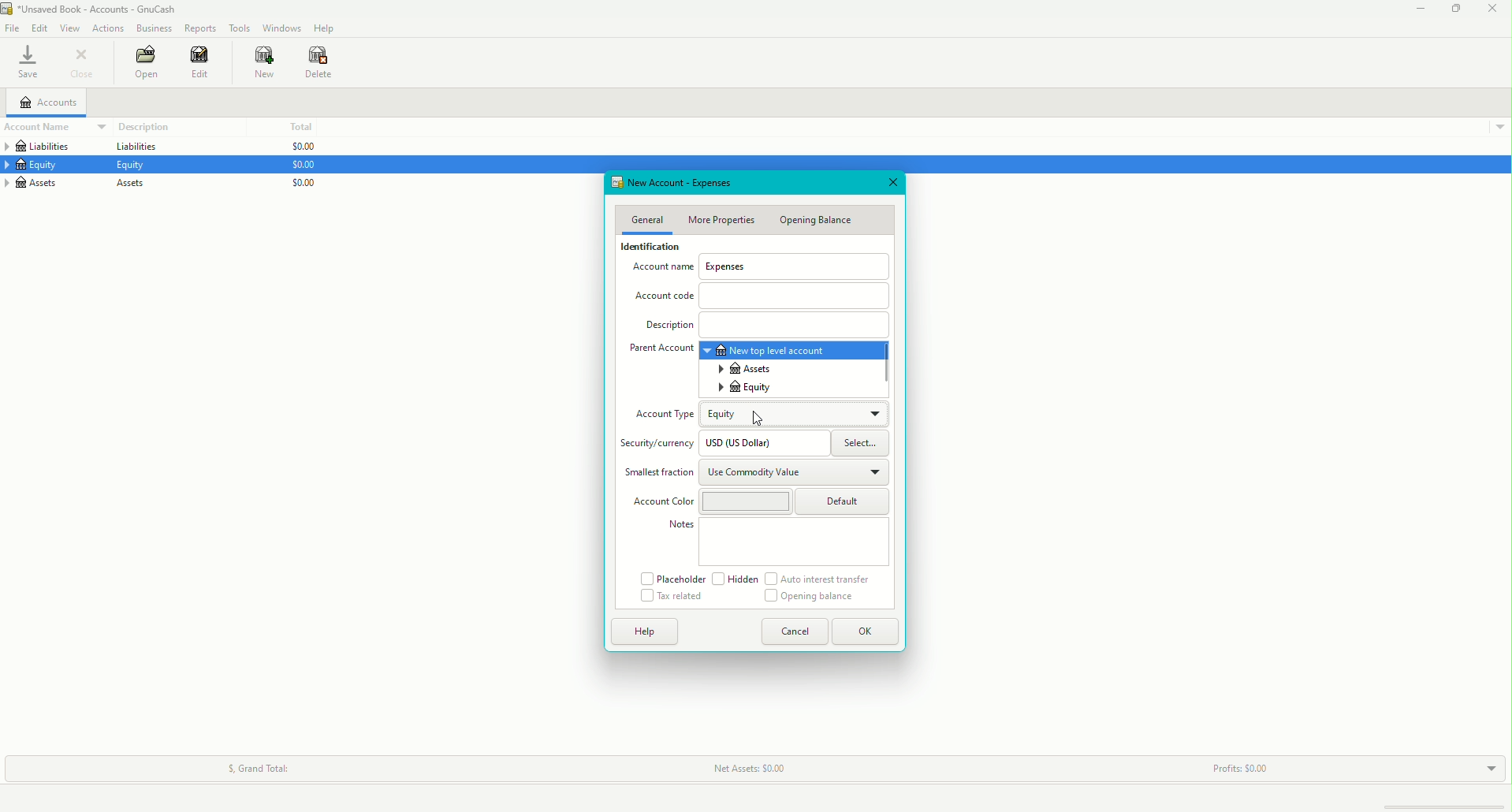 The width and height of the screenshot is (1512, 812). I want to click on Account Code, so click(763, 295).